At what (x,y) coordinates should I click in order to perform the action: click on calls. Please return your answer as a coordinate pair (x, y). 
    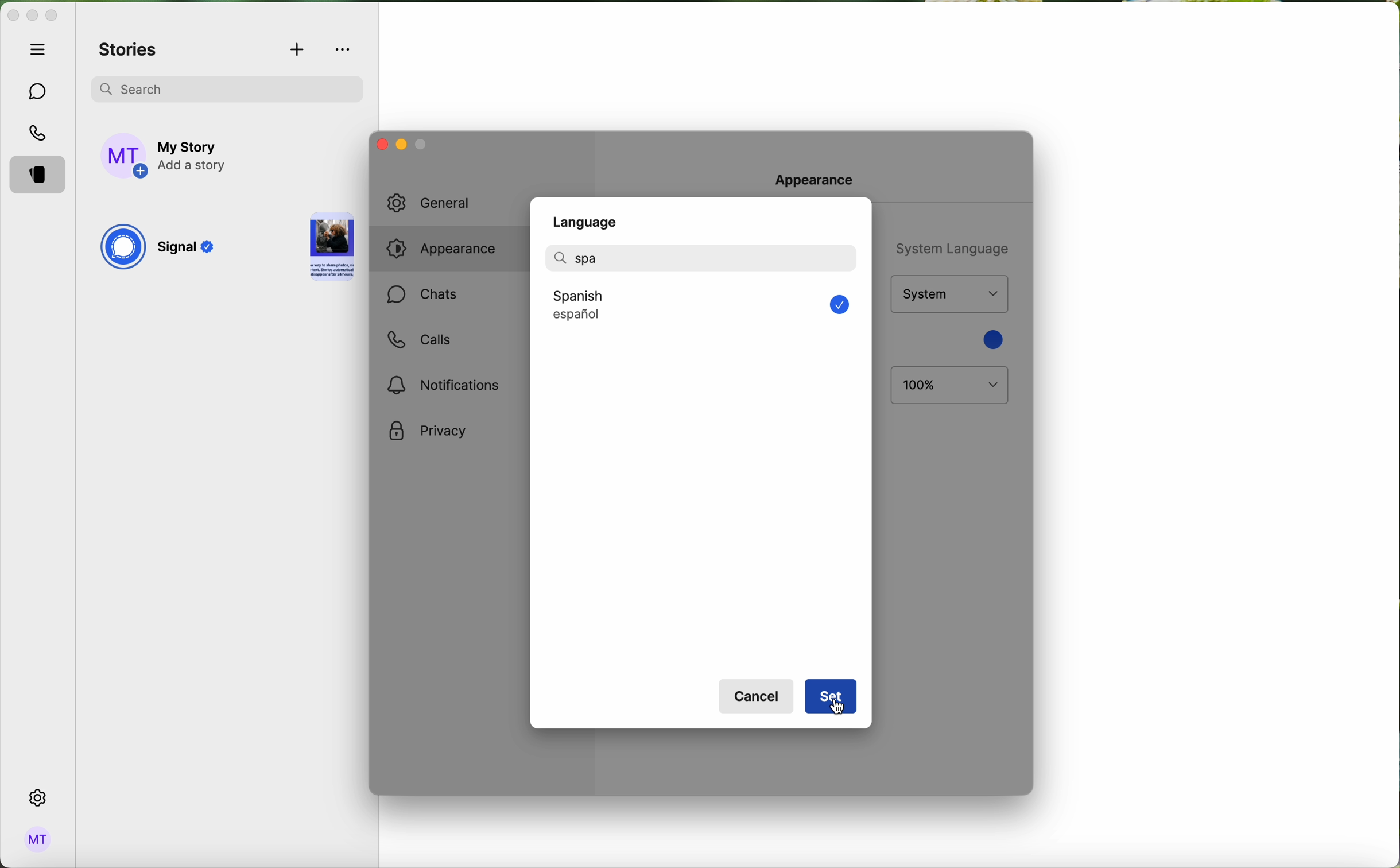
    Looking at the image, I should click on (40, 134).